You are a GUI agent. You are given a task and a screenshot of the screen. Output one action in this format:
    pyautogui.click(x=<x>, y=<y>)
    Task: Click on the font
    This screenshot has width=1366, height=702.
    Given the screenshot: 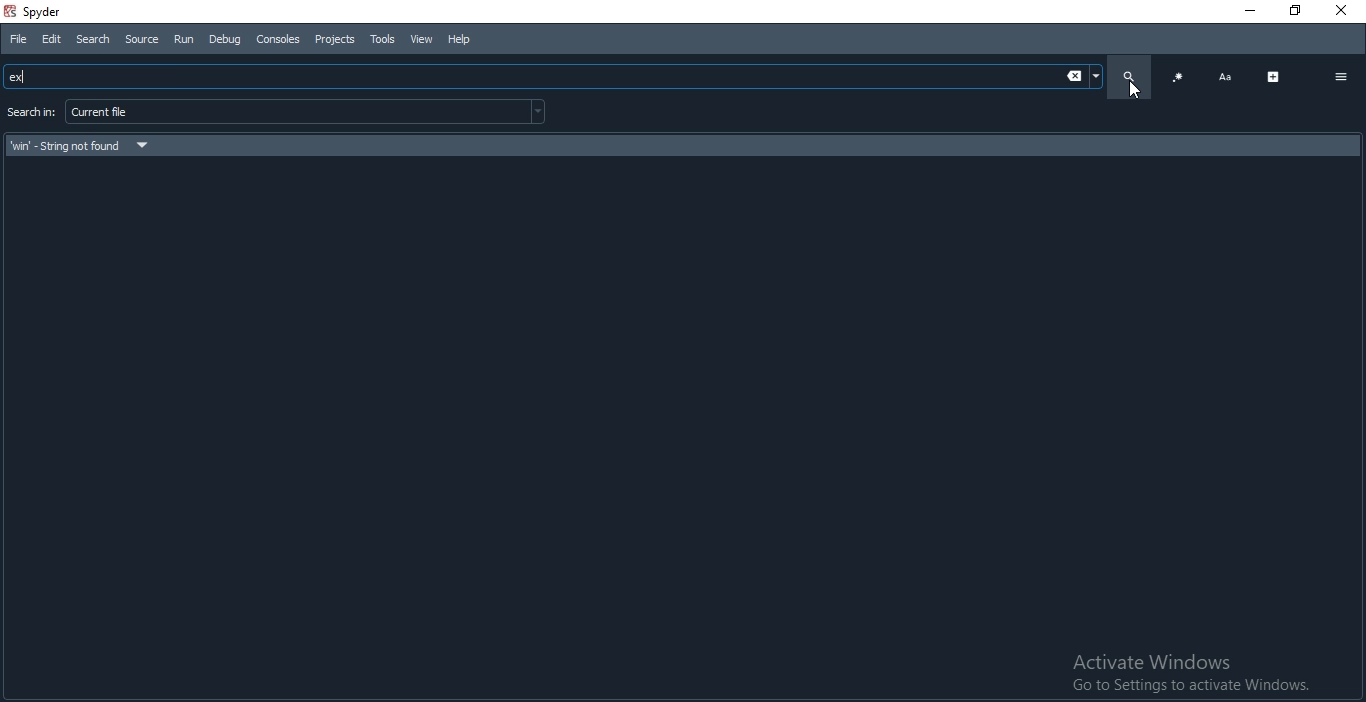 What is the action you would take?
    pyautogui.click(x=1224, y=77)
    